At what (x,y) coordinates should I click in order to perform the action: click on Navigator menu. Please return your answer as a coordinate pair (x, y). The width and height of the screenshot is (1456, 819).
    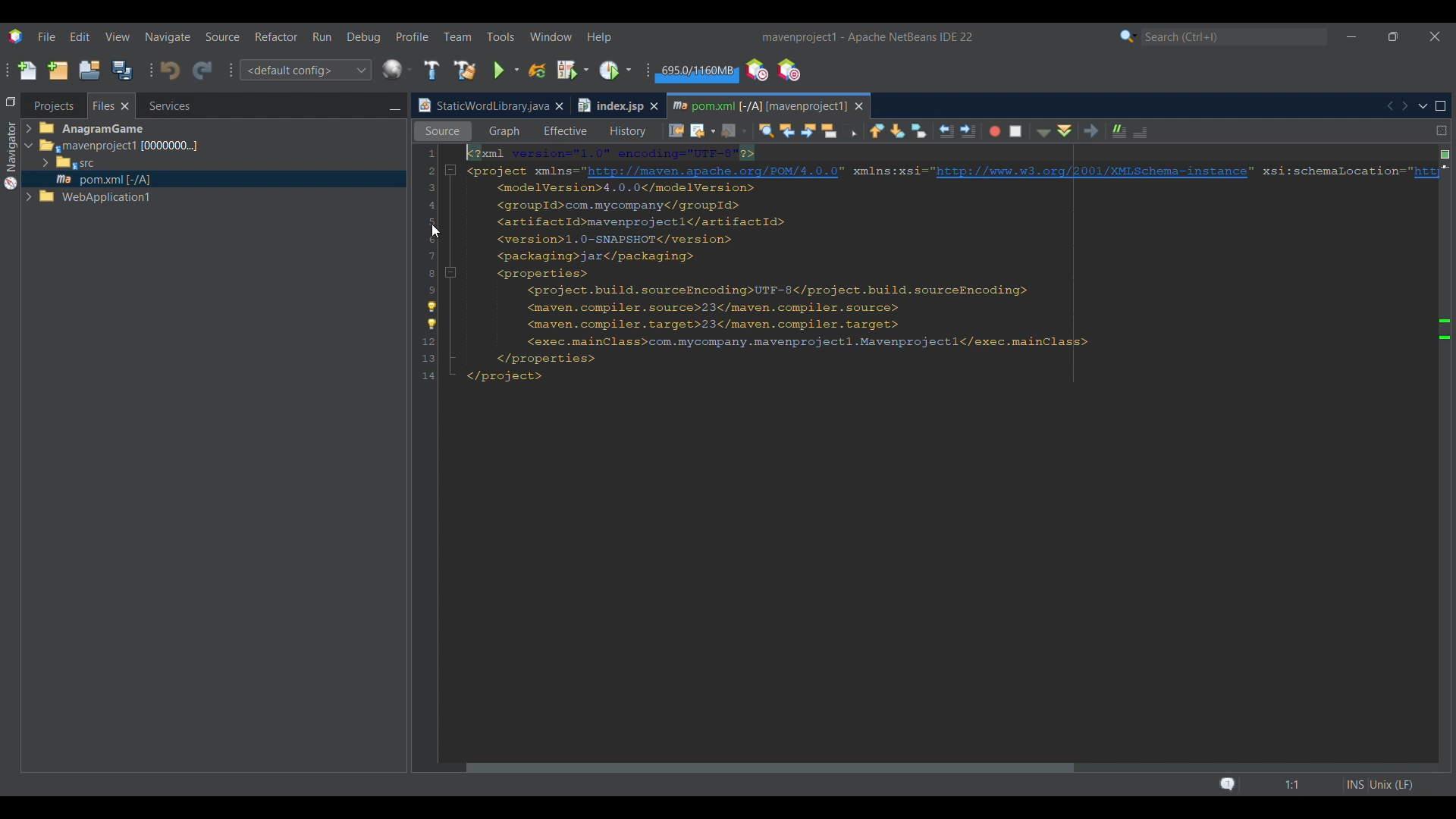
    Looking at the image, I should click on (9, 155).